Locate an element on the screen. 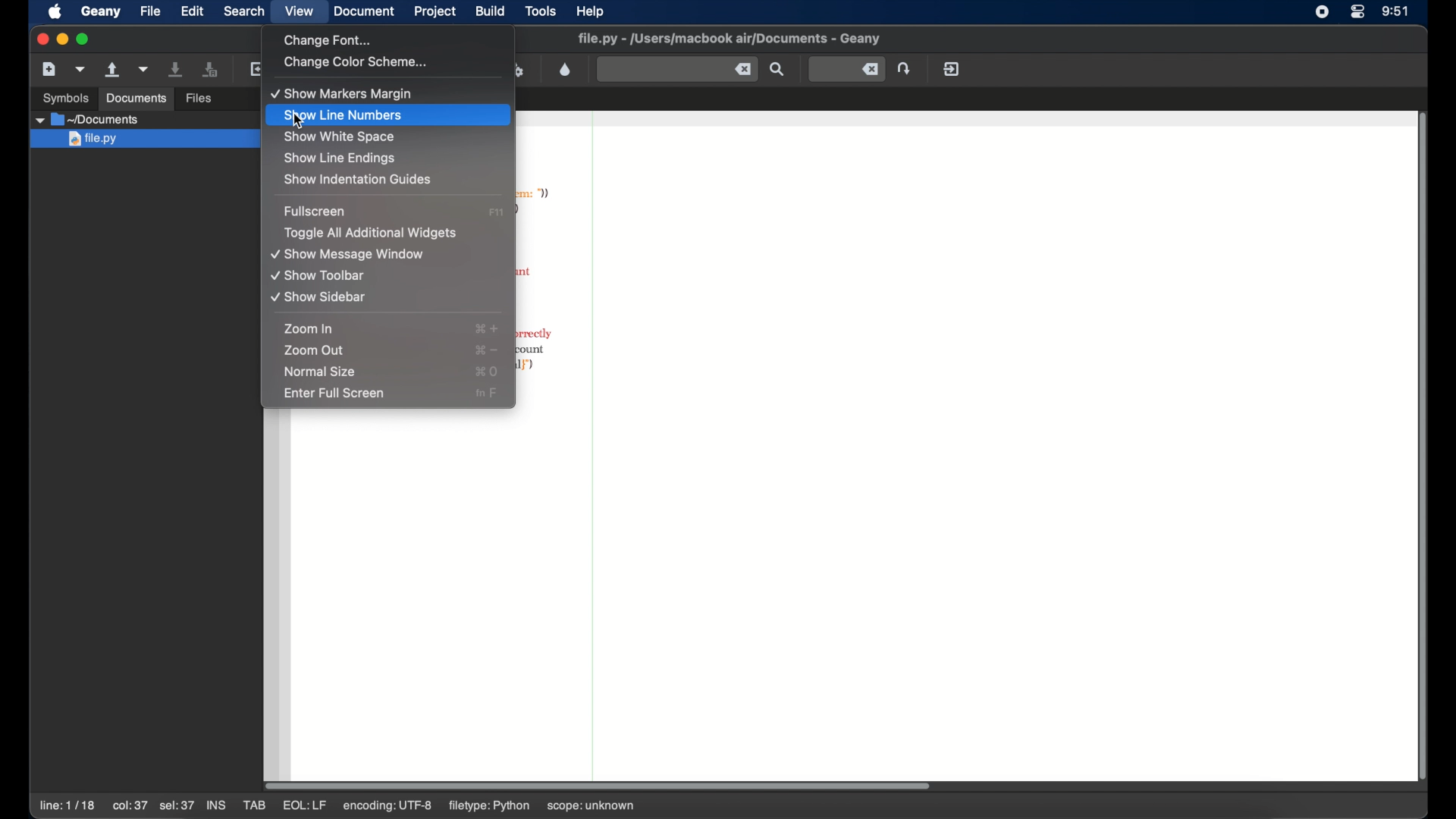 The height and width of the screenshot is (819, 1456). help is located at coordinates (591, 12).